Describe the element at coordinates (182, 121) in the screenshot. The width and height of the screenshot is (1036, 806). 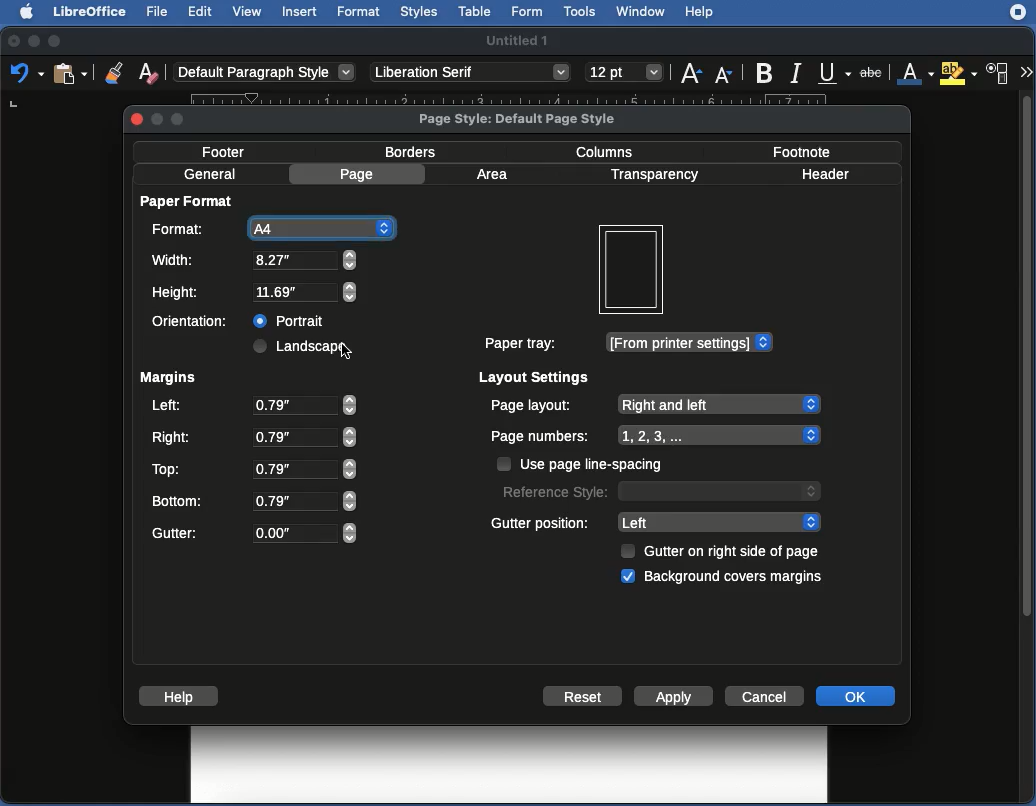
I see `maximize` at that location.